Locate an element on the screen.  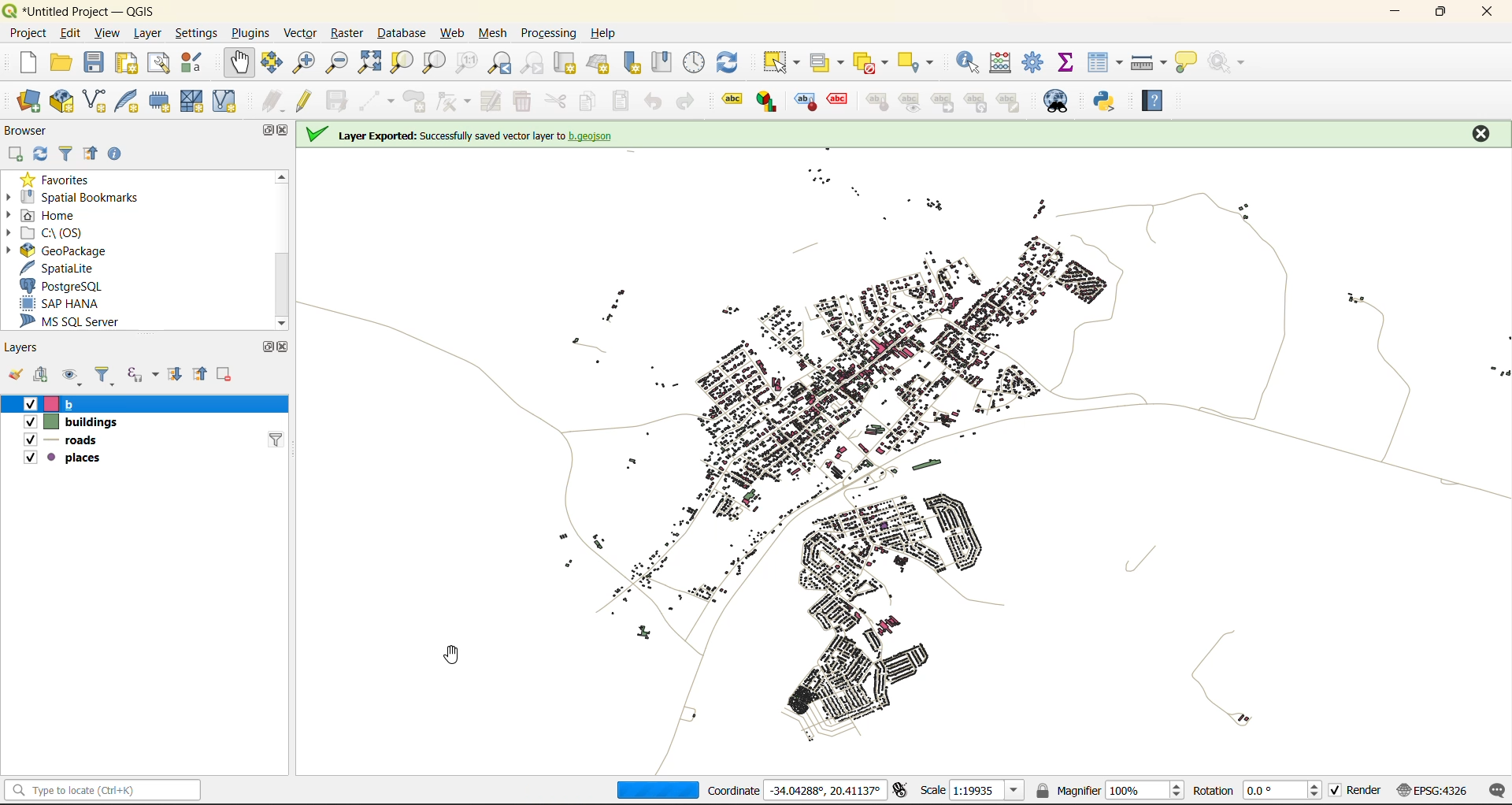
redo is located at coordinates (687, 103).